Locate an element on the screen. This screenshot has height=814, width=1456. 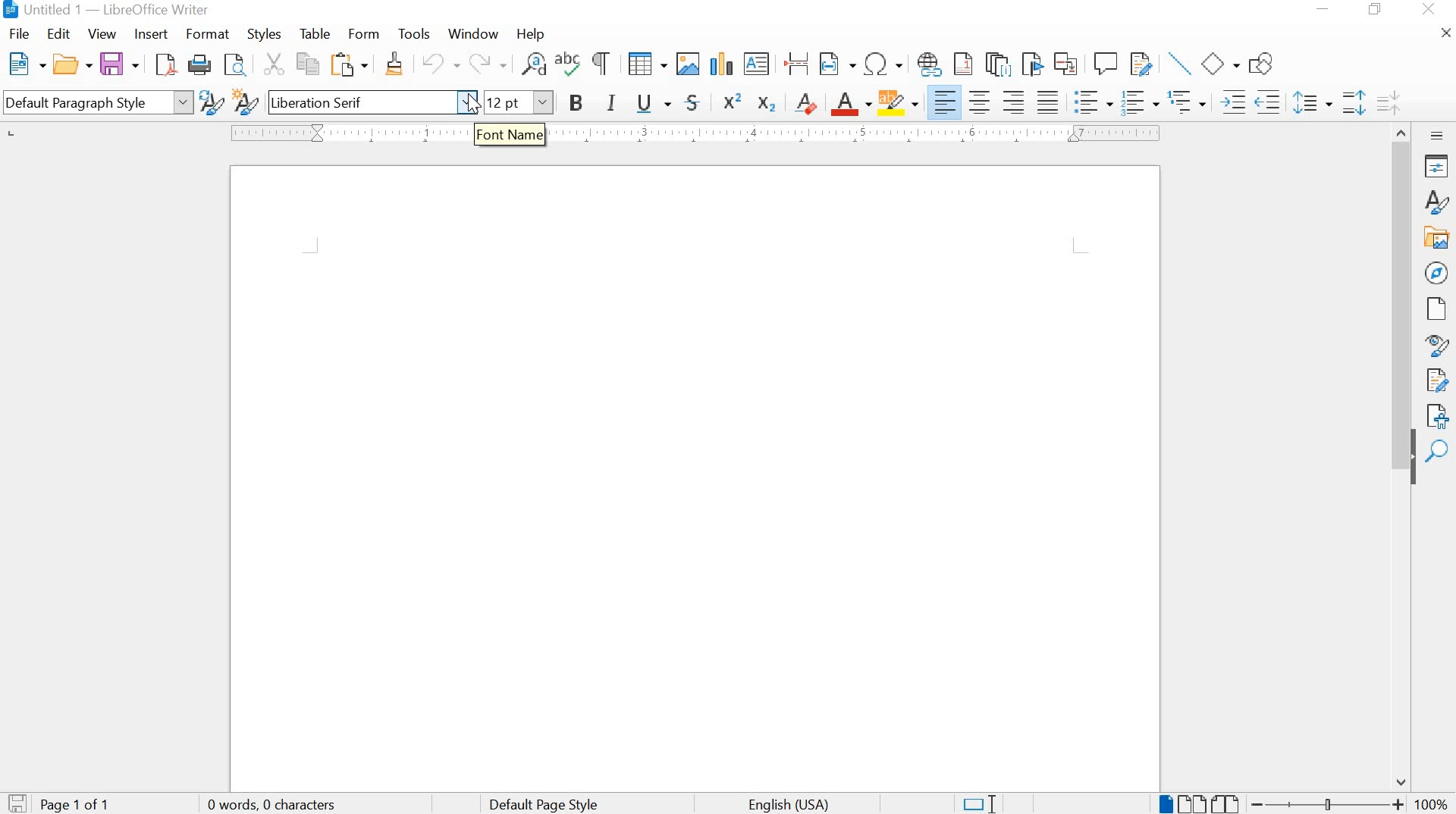
ALIGN RIGHT is located at coordinates (1016, 102).